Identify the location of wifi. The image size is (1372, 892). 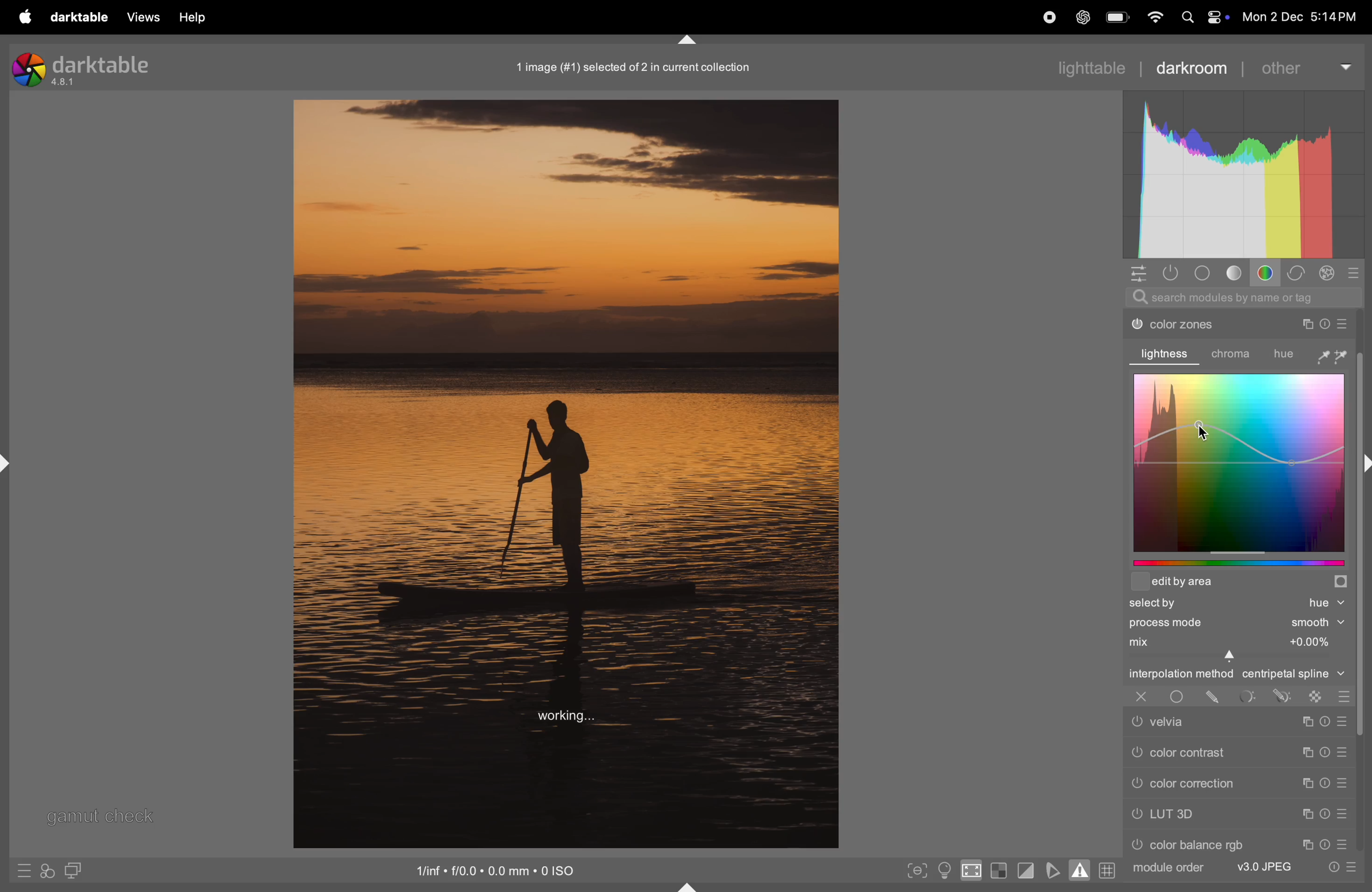
(1156, 17).